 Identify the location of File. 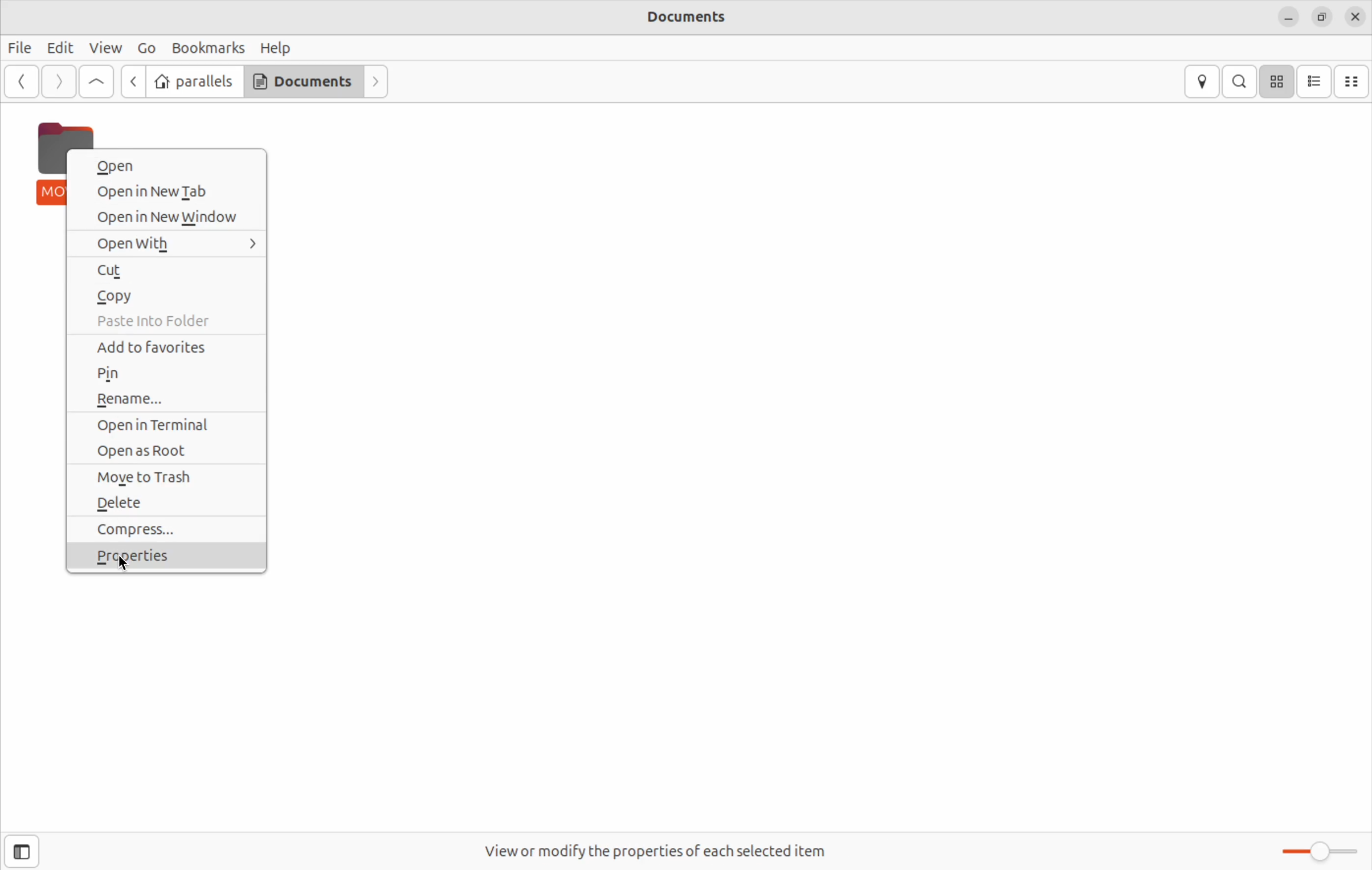
(20, 48).